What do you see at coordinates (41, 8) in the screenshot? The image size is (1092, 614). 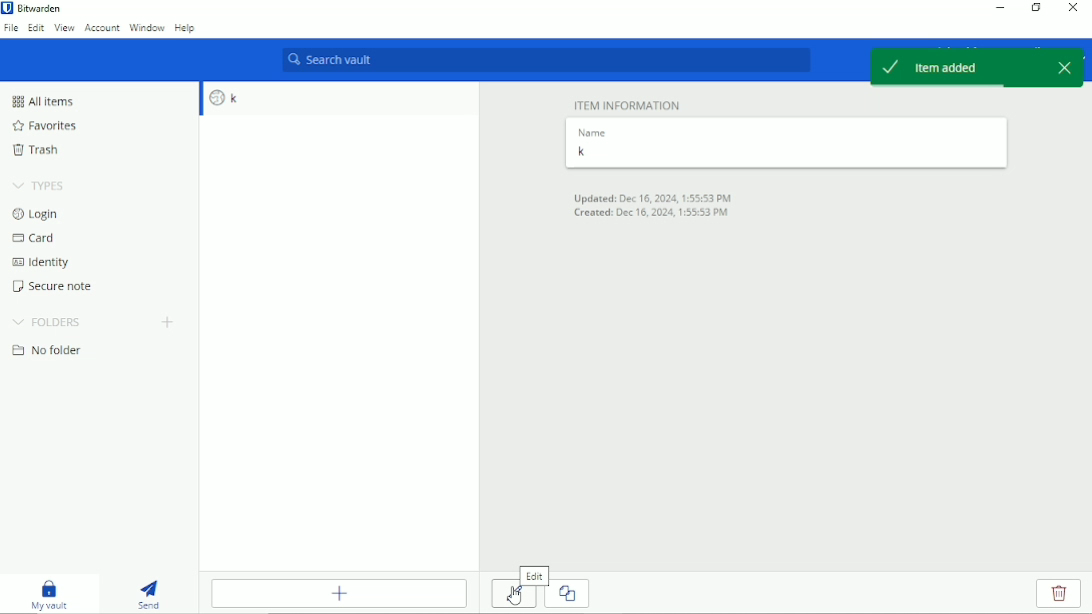 I see `Bitwarden` at bounding box center [41, 8].